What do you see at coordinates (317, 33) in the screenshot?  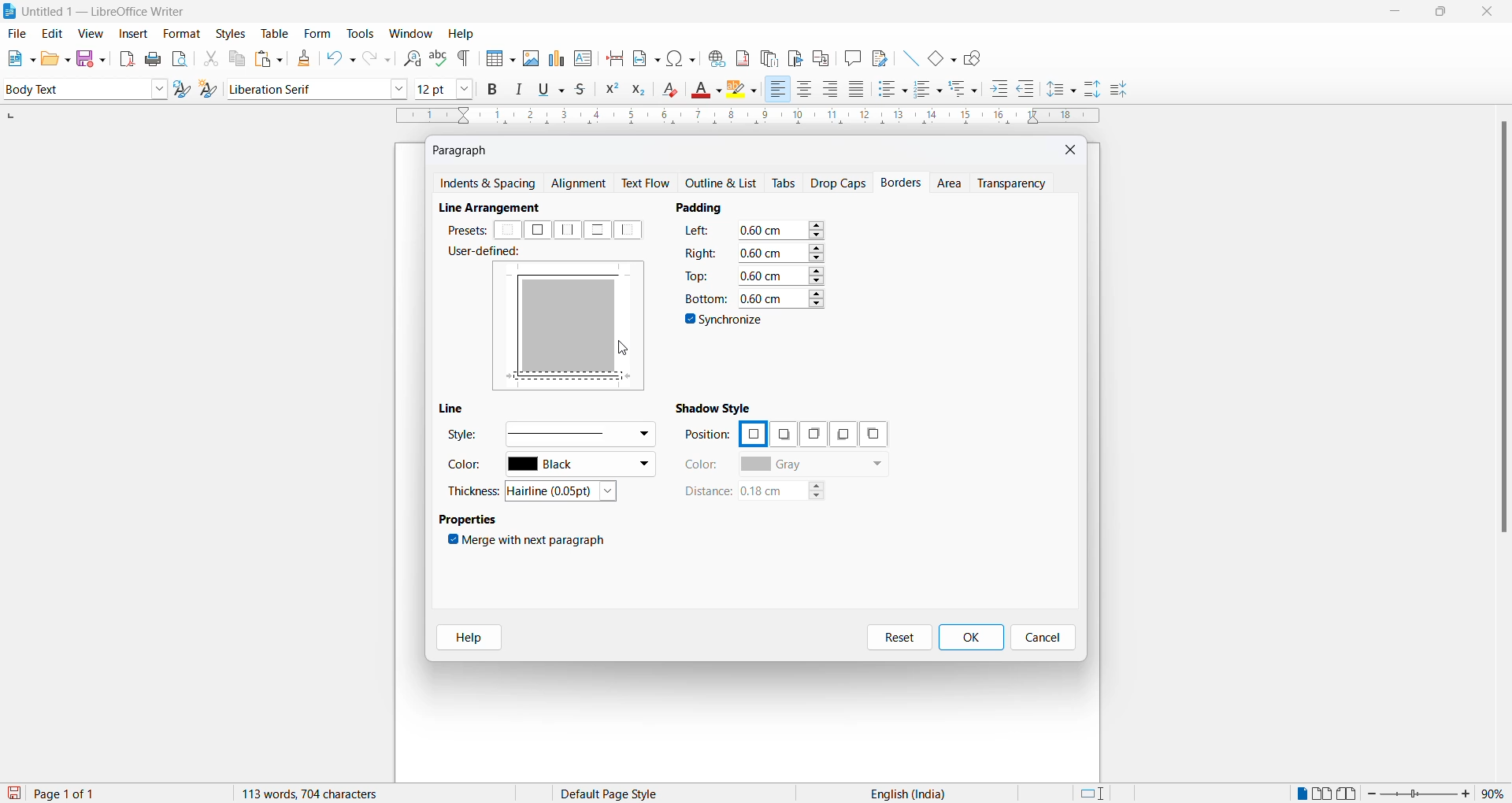 I see `form` at bounding box center [317, 33].